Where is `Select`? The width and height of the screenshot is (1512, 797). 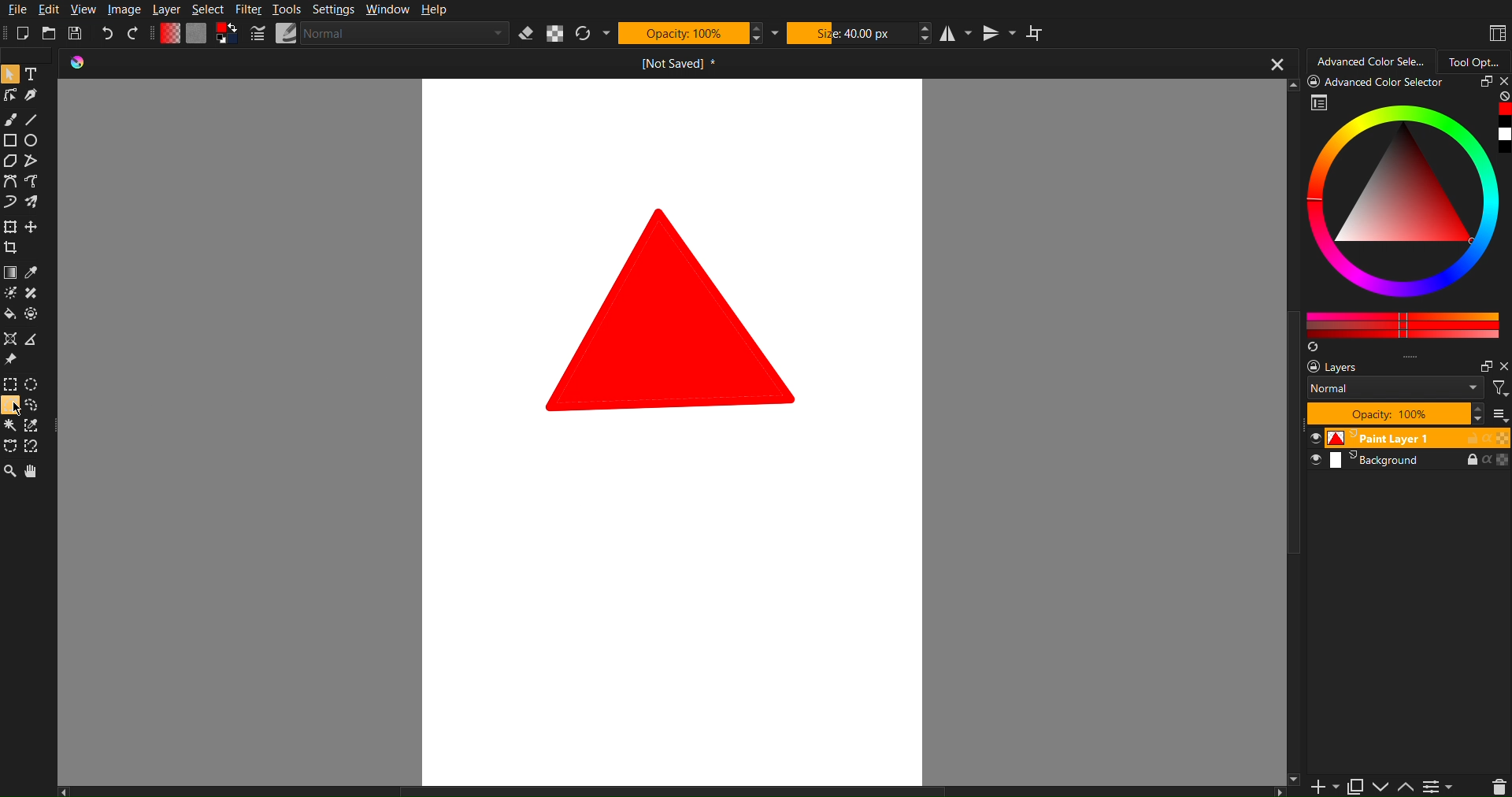 Select is located at coordinates (210, 9).